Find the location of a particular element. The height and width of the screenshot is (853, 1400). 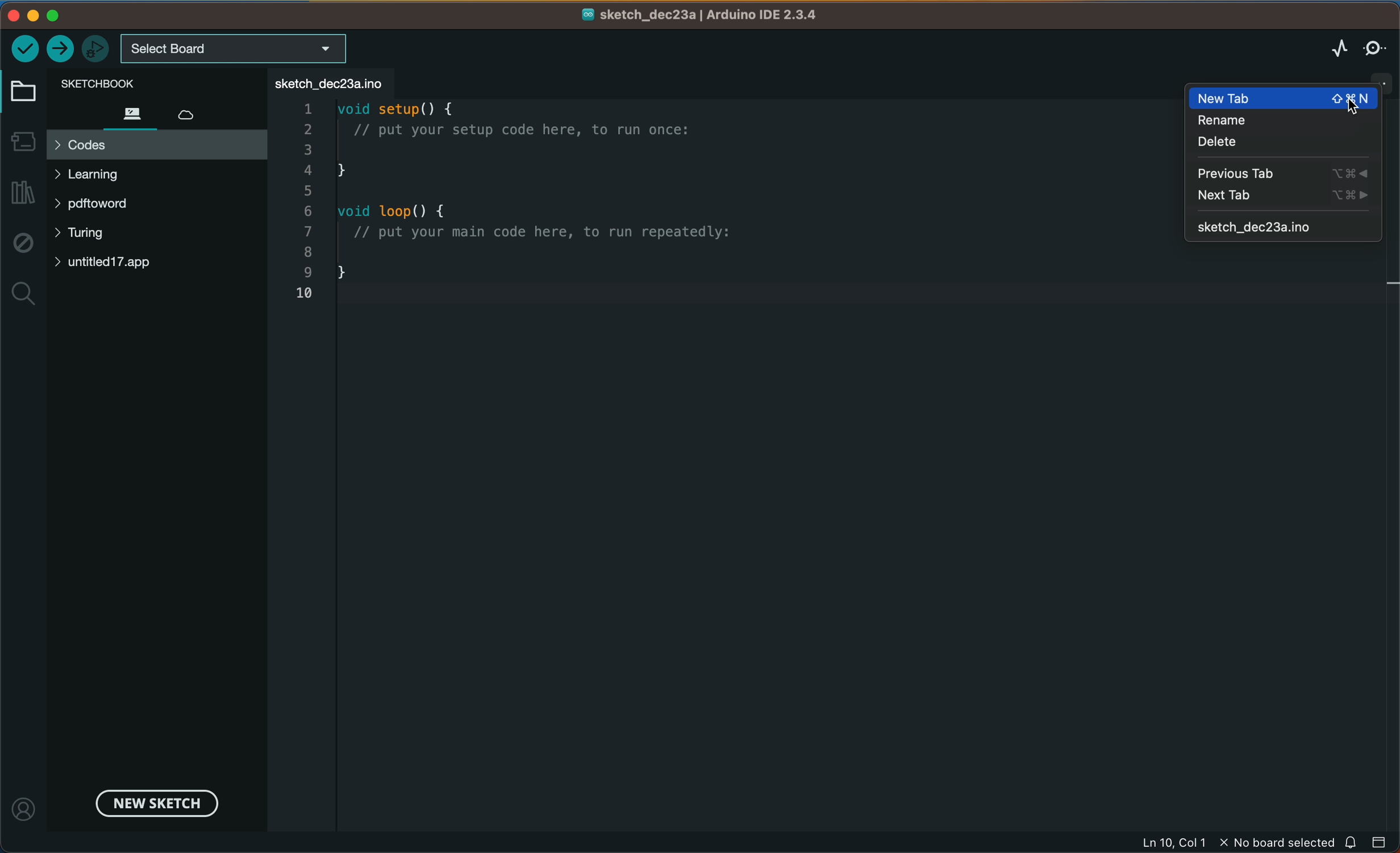

file tab is located at coordinates (332, 82).